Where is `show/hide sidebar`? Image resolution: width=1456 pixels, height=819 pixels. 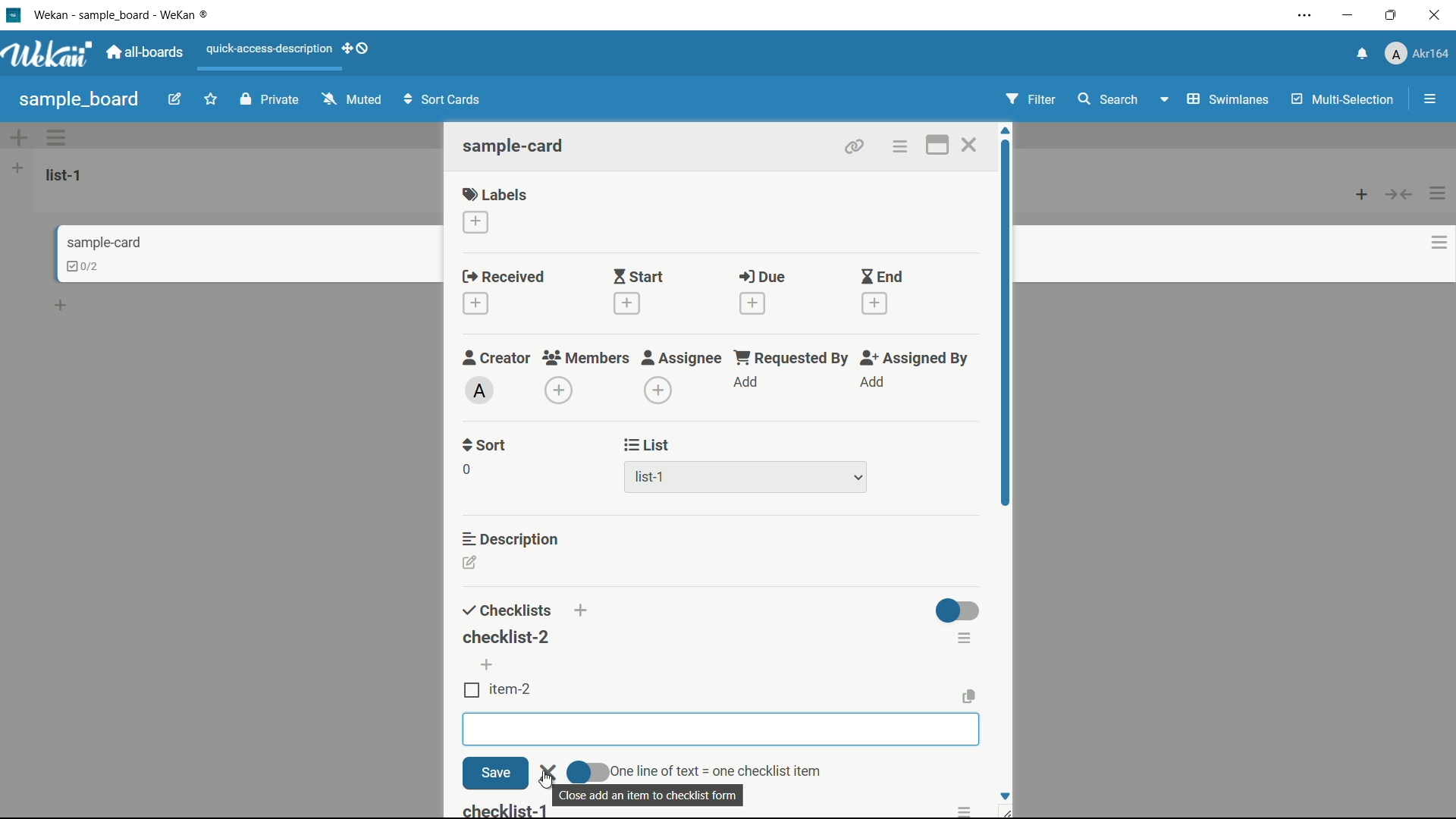
show/hide sidebar is located at coordinates (1432, 99).